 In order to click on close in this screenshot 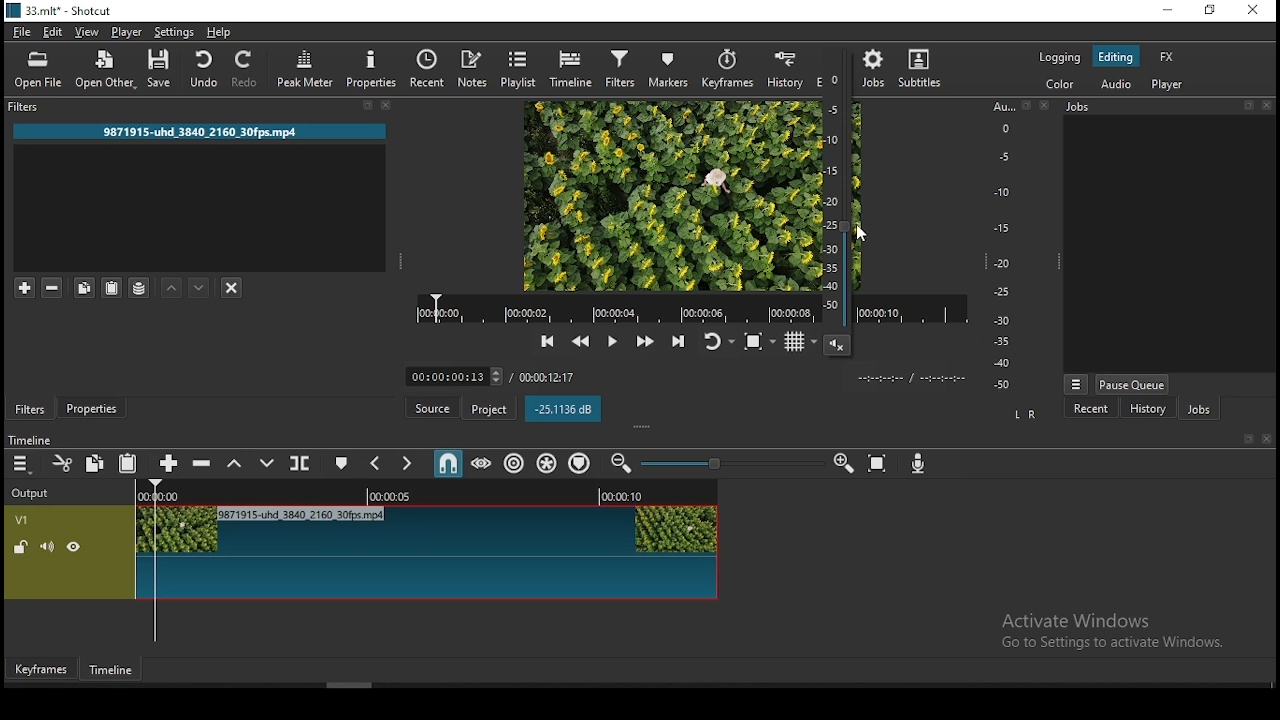, I will do `click(1044, 107)`.